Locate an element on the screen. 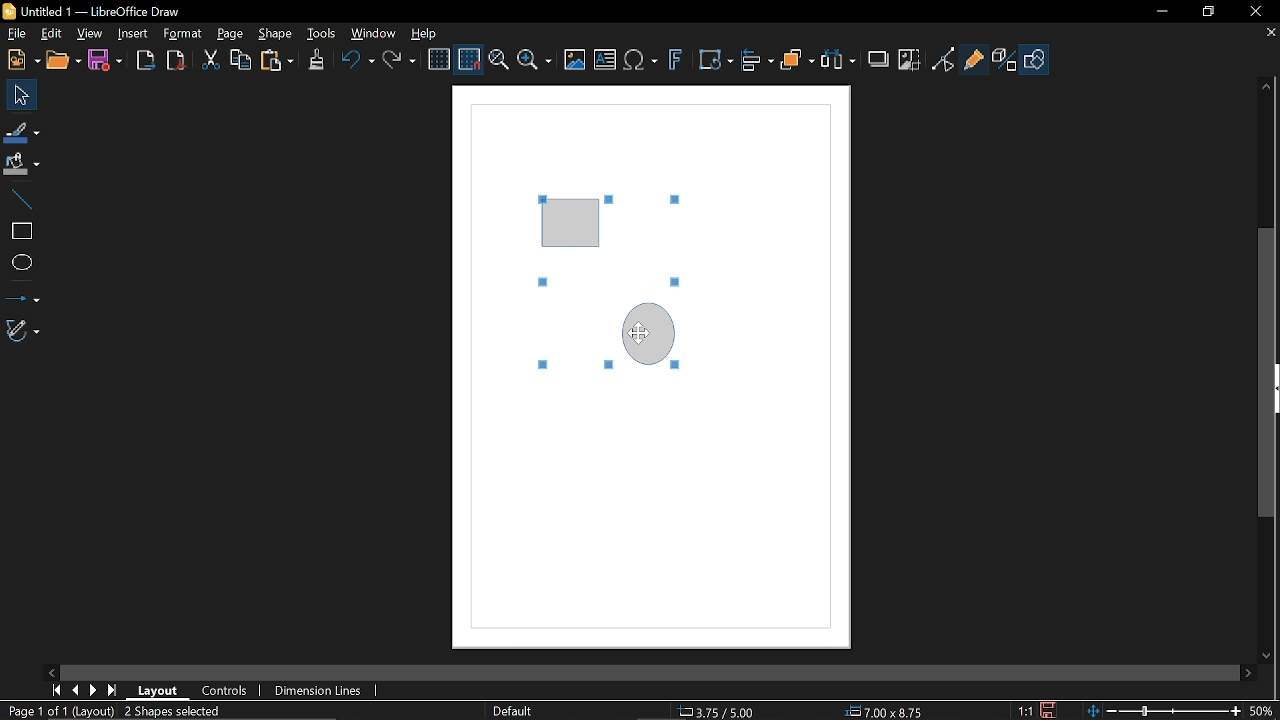  Crop is located at coordinates (909, 61).